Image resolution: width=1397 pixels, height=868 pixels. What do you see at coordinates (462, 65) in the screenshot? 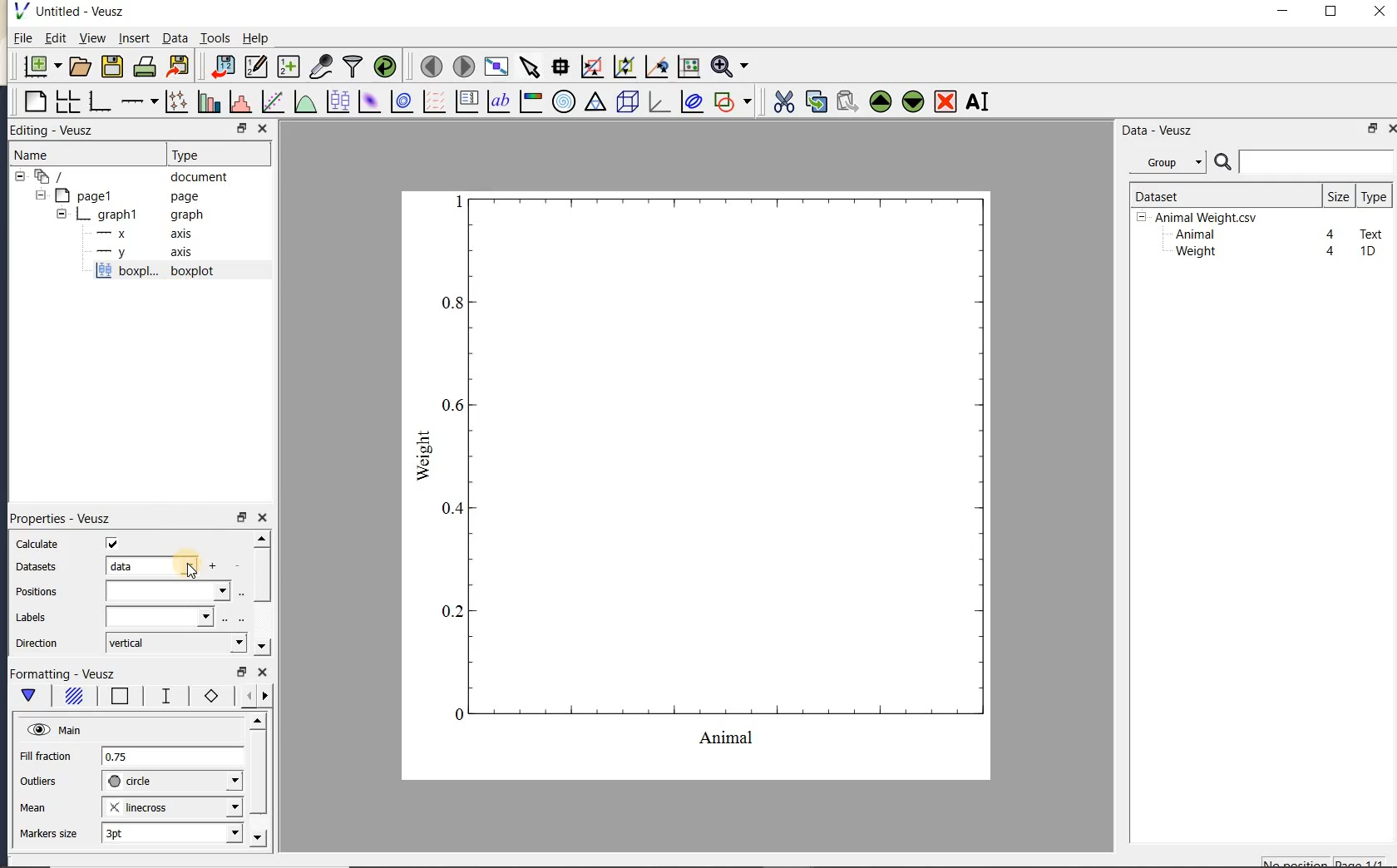
I see `move to the next page` at bounding box center [462, 65].